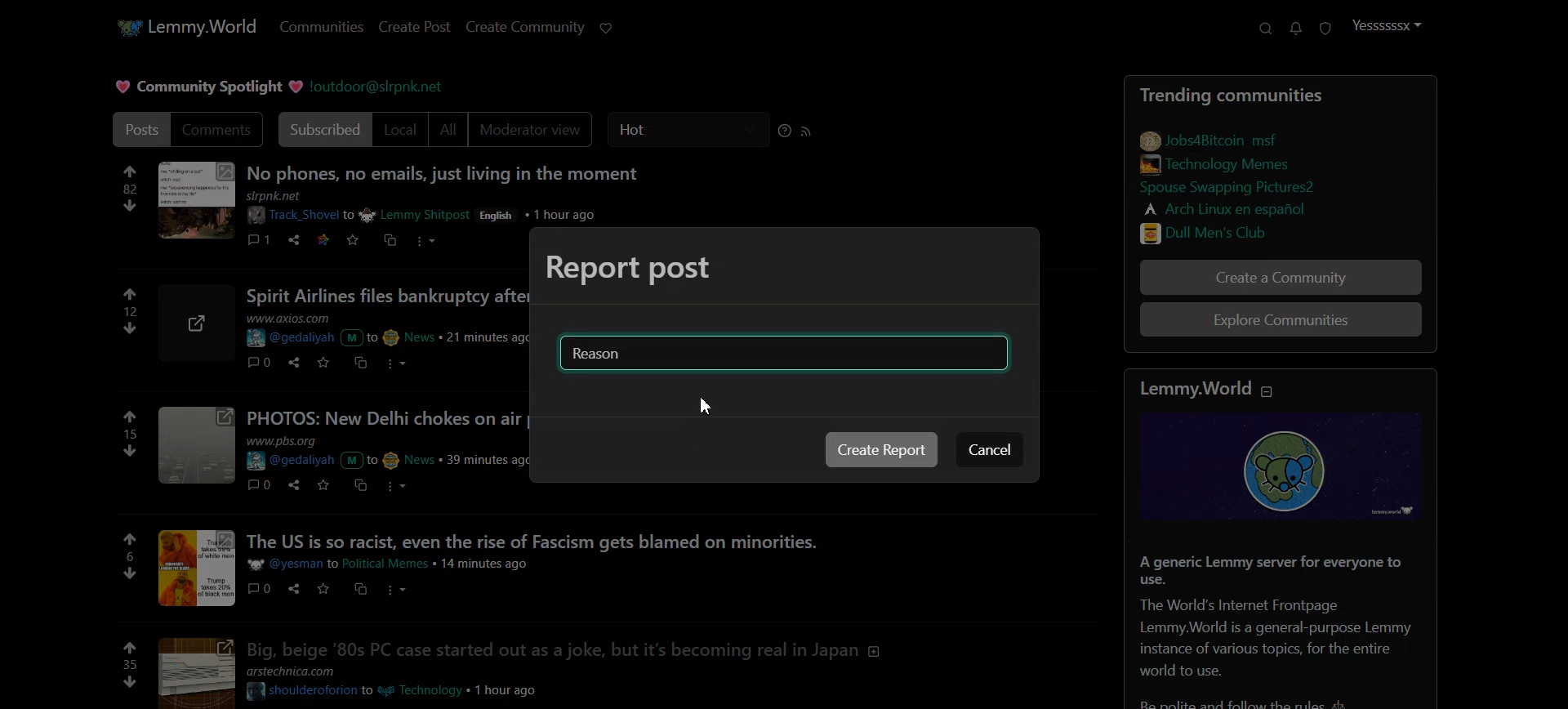 The width and height of the screenshot is (1568, 709). Describe the element at coordinates (1247, 189) in the screenshot. I see `link` at that location.